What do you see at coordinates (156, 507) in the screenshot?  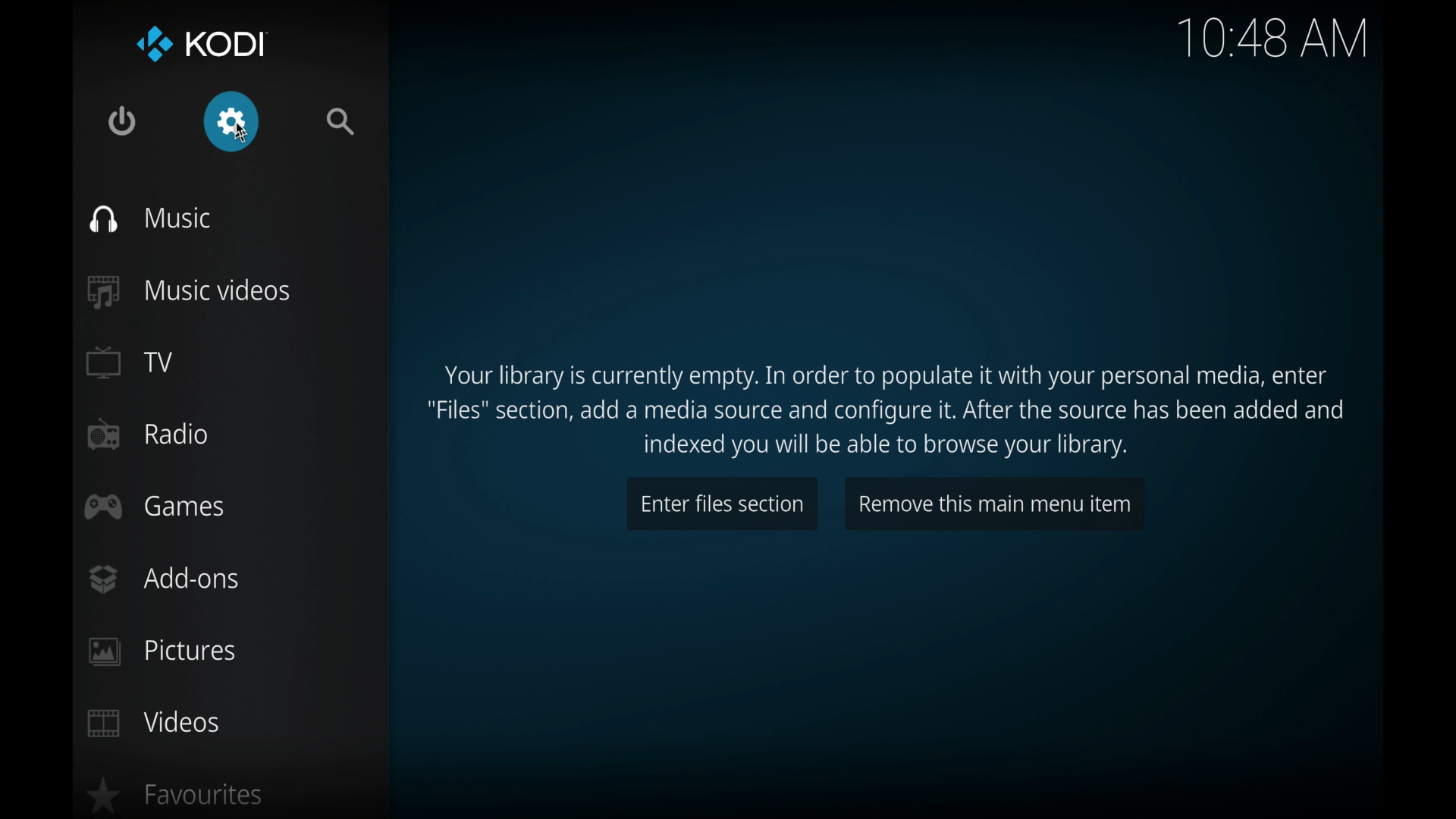 I see `games` at bounding box center [156, 507].